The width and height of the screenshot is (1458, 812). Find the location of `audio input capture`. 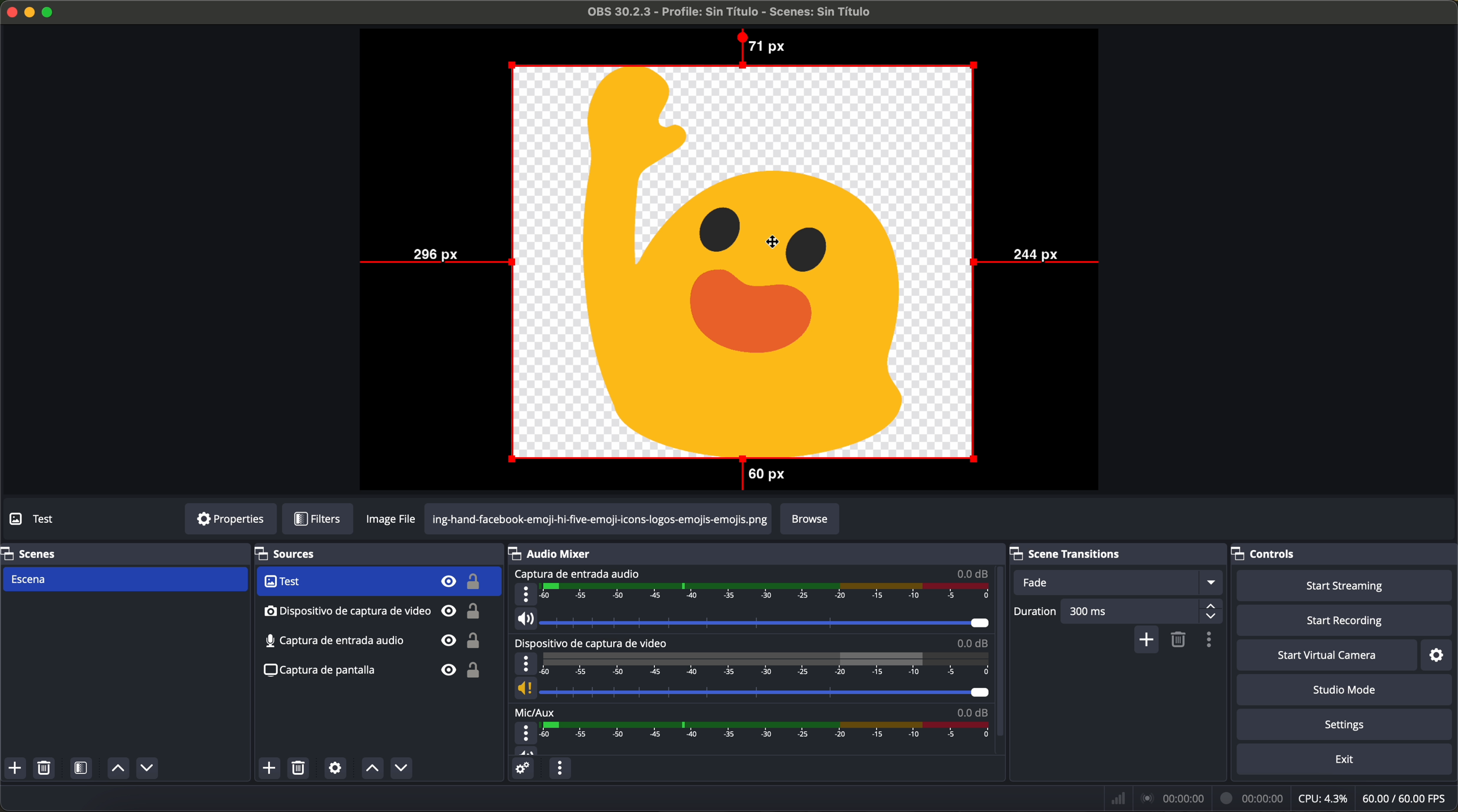

audio input capture is located at coordinates (576, 574).